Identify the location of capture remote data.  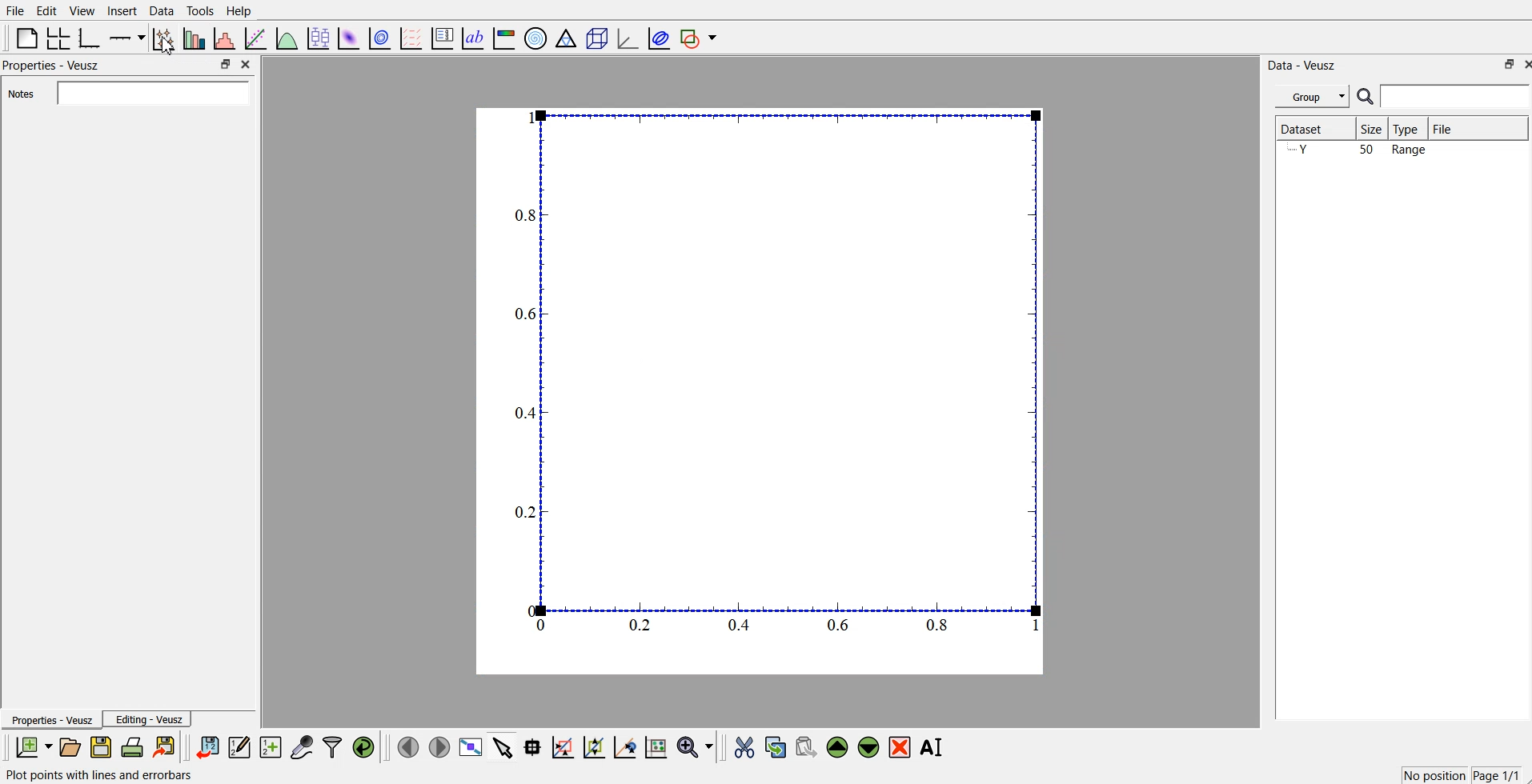
(301, 748).